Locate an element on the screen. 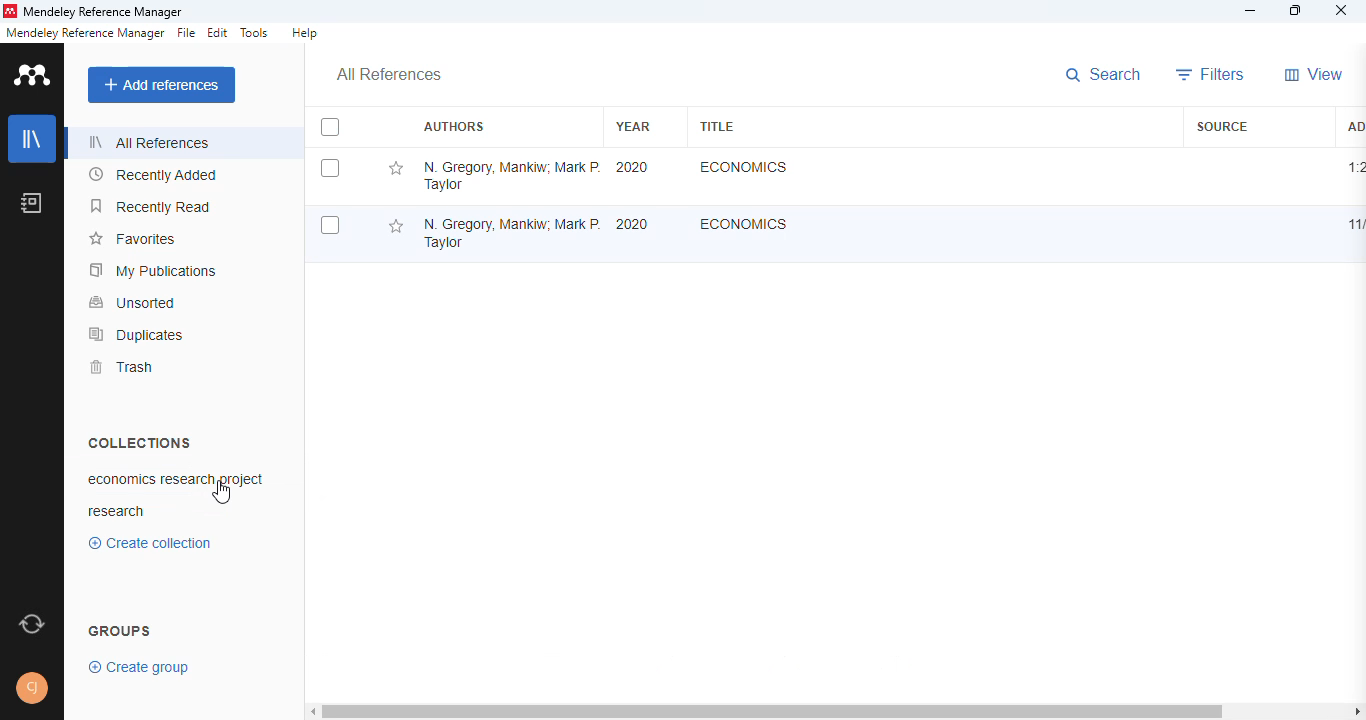 The image size is (1366, 720). file is located at coordinates (186, 33).